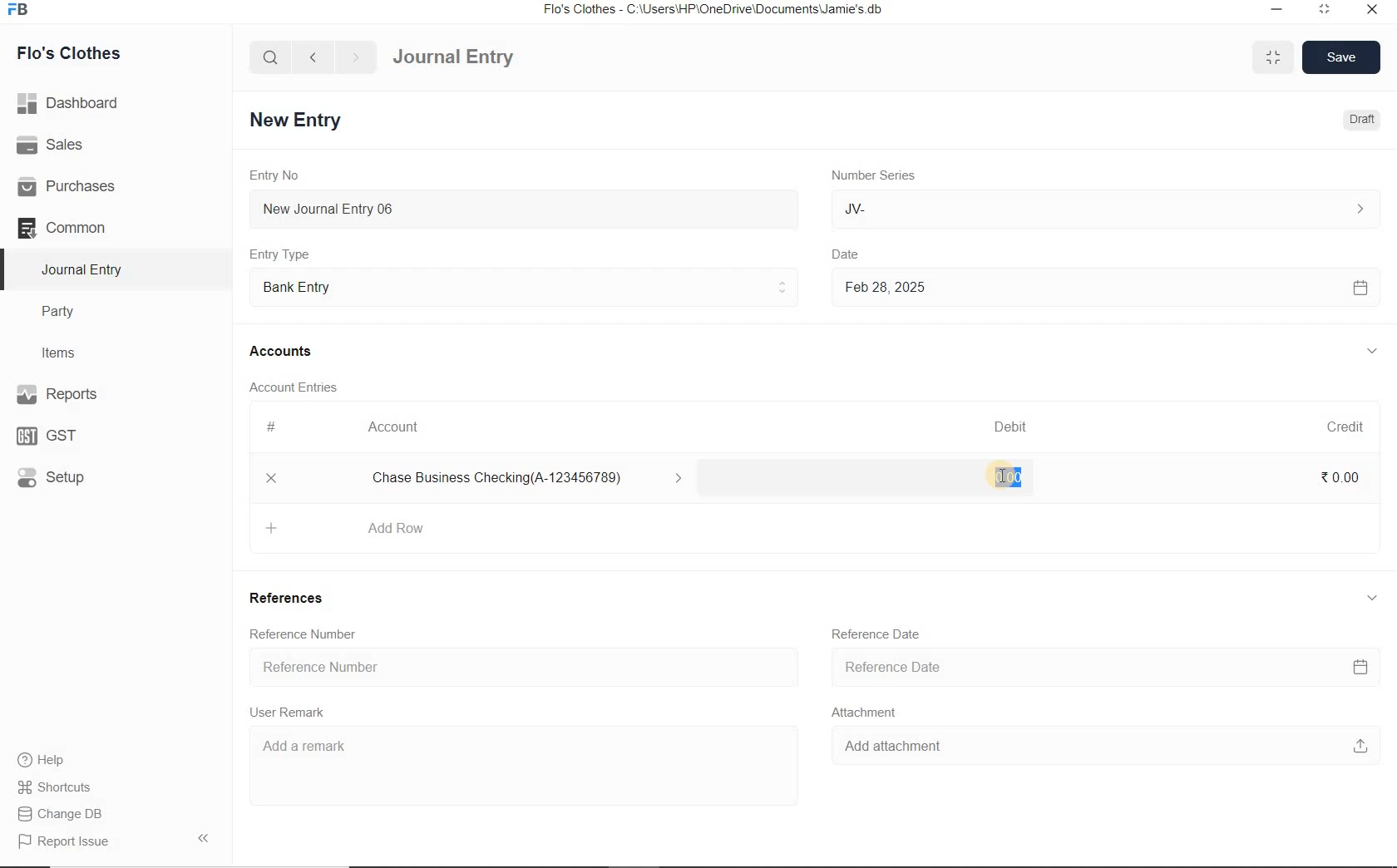 This screenshot has height=868, width=1397. What do you see at coordinates (42, 760) in the screenshot?
I see `help` at bounding box center [42, 760].